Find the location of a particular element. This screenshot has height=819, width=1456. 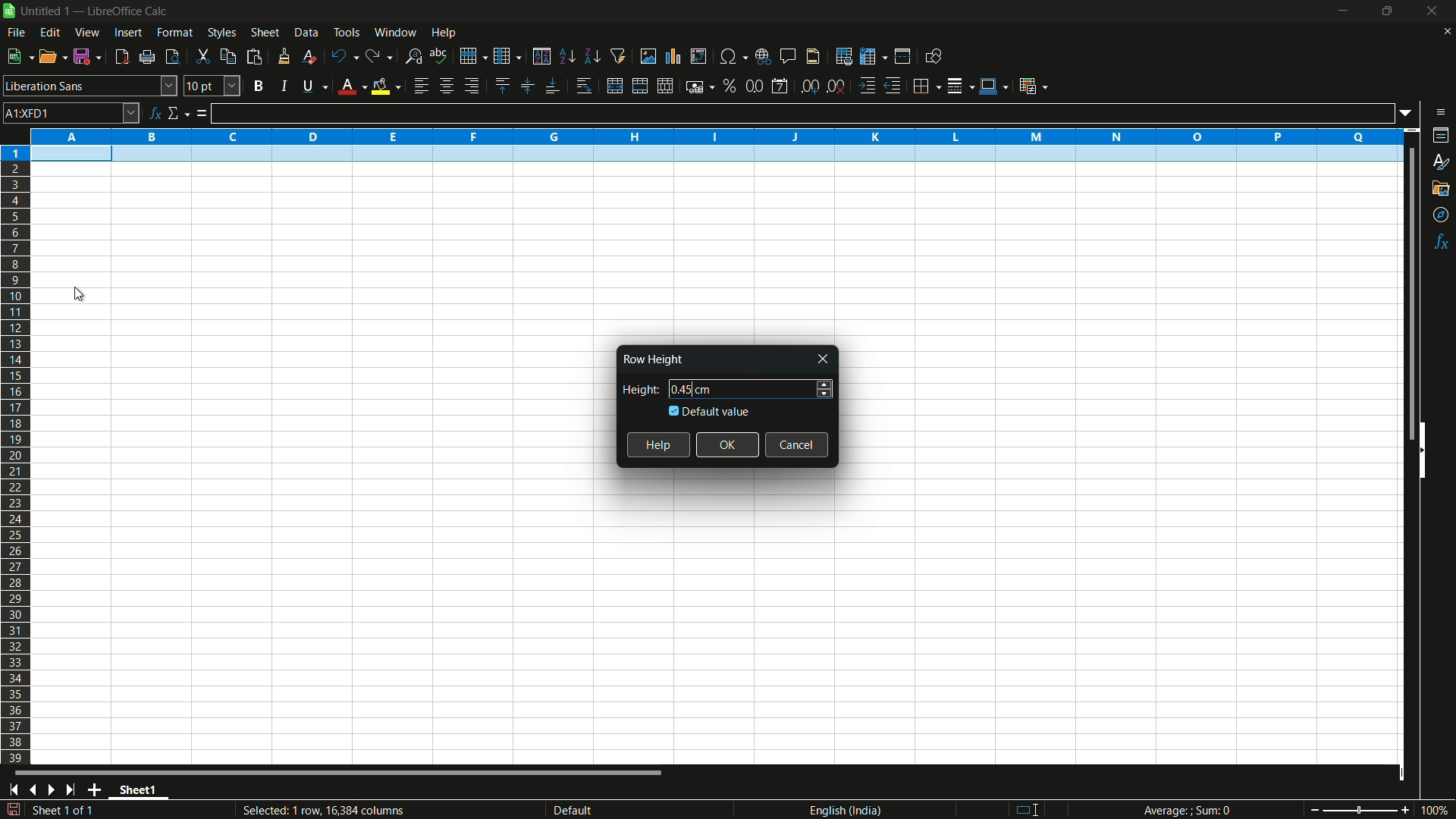

align top is located at coordinates (501, 86).